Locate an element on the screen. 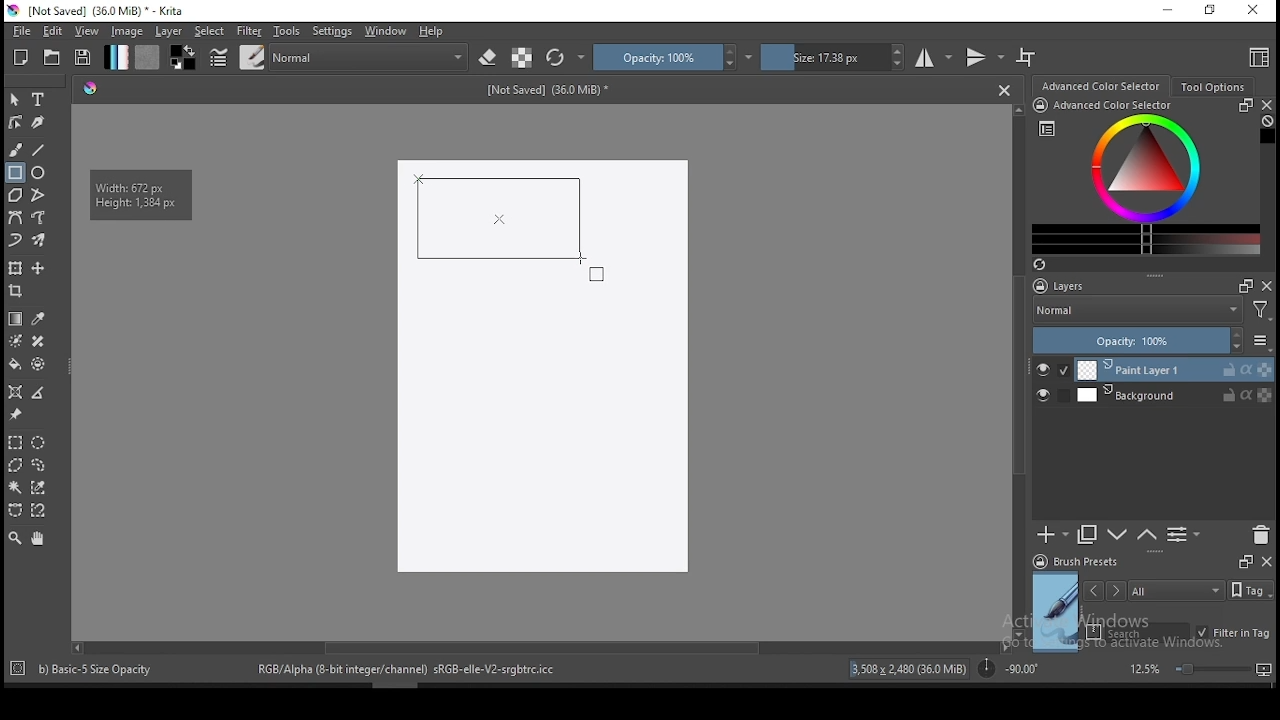  opacity is located at coordinates (673, 57).